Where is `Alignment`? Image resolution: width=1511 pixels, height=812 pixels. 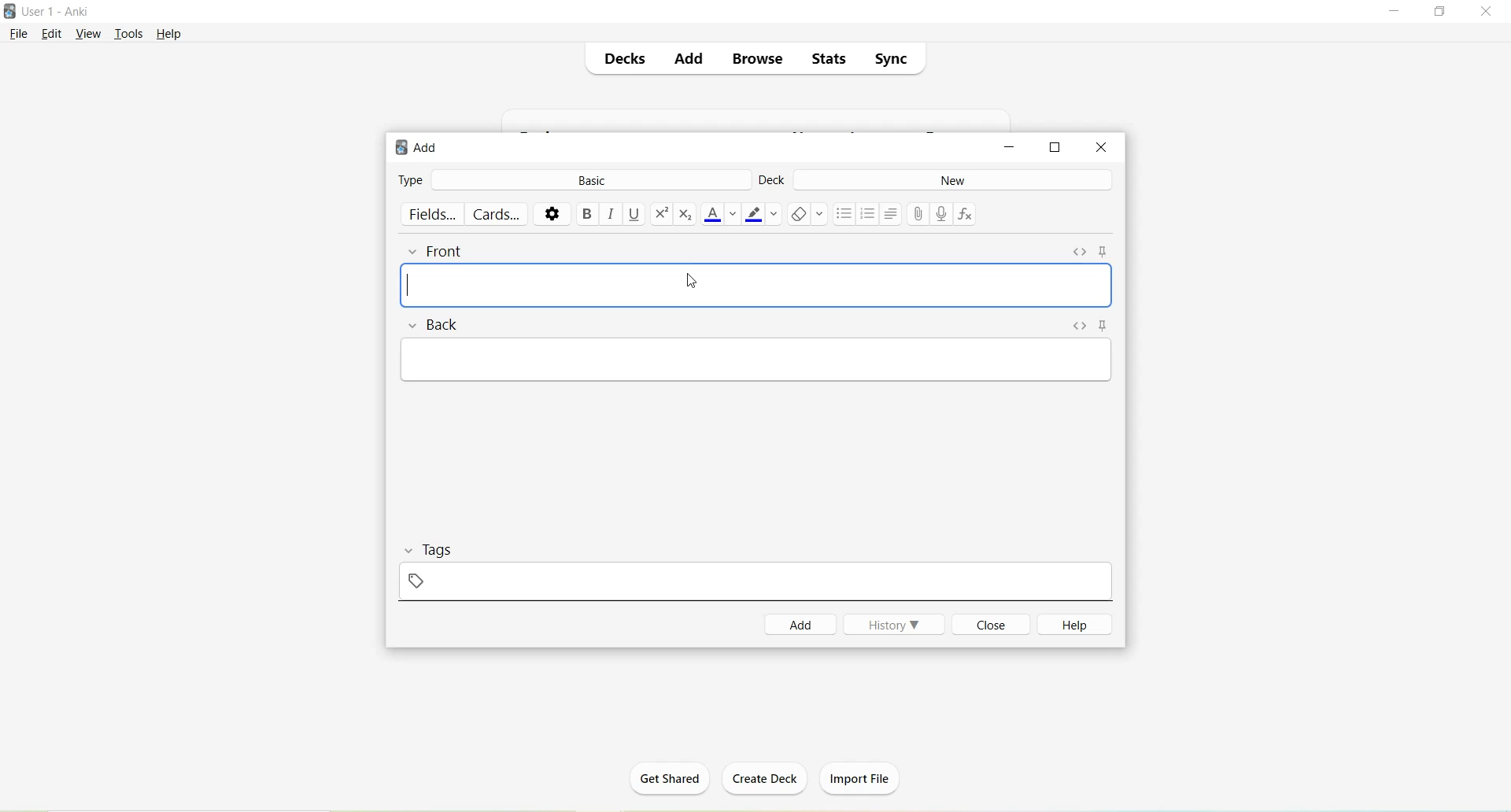 Alignment is located at coordinates (892, 214).